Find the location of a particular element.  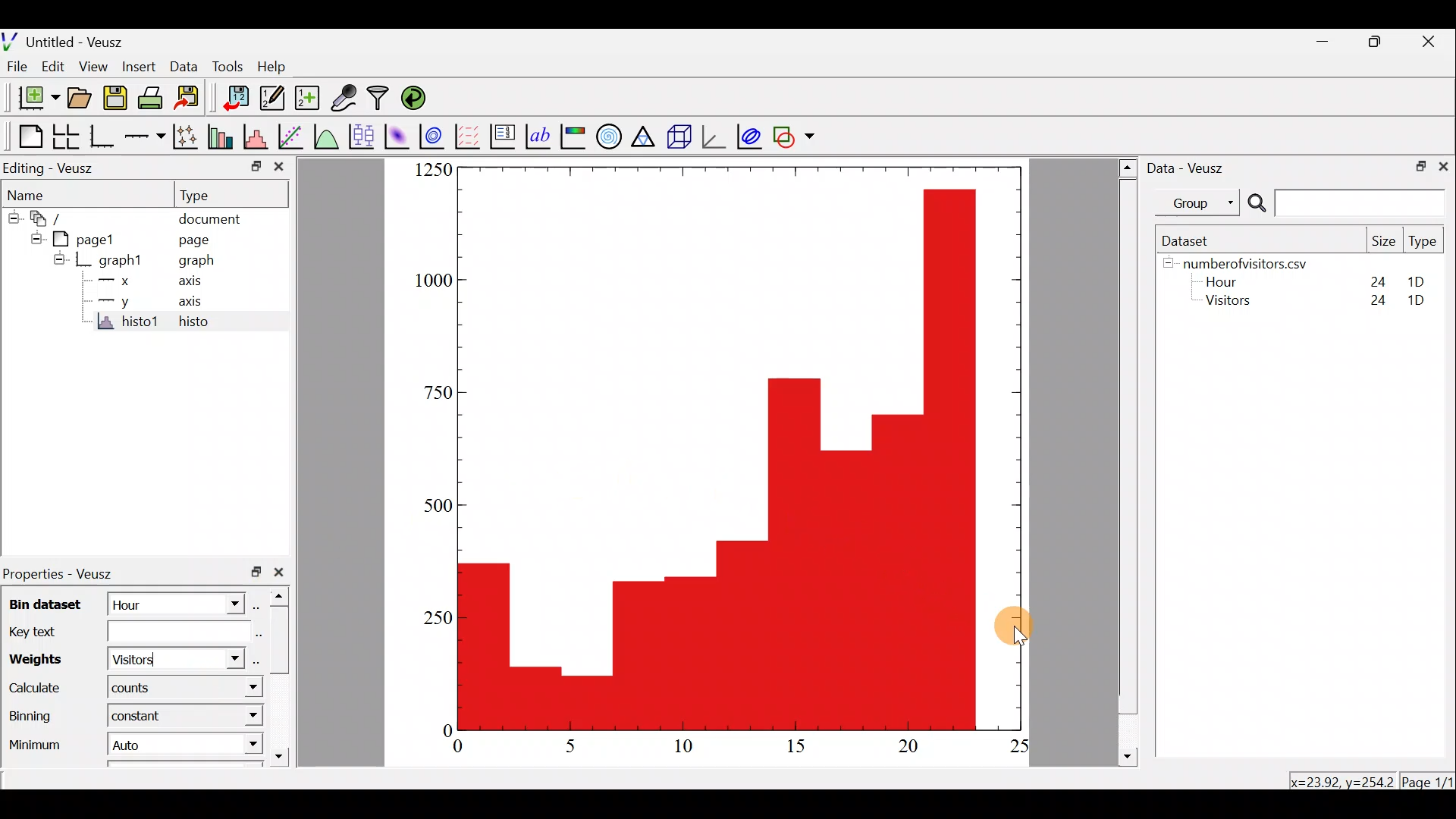

View is located at coordinates (94, 66).